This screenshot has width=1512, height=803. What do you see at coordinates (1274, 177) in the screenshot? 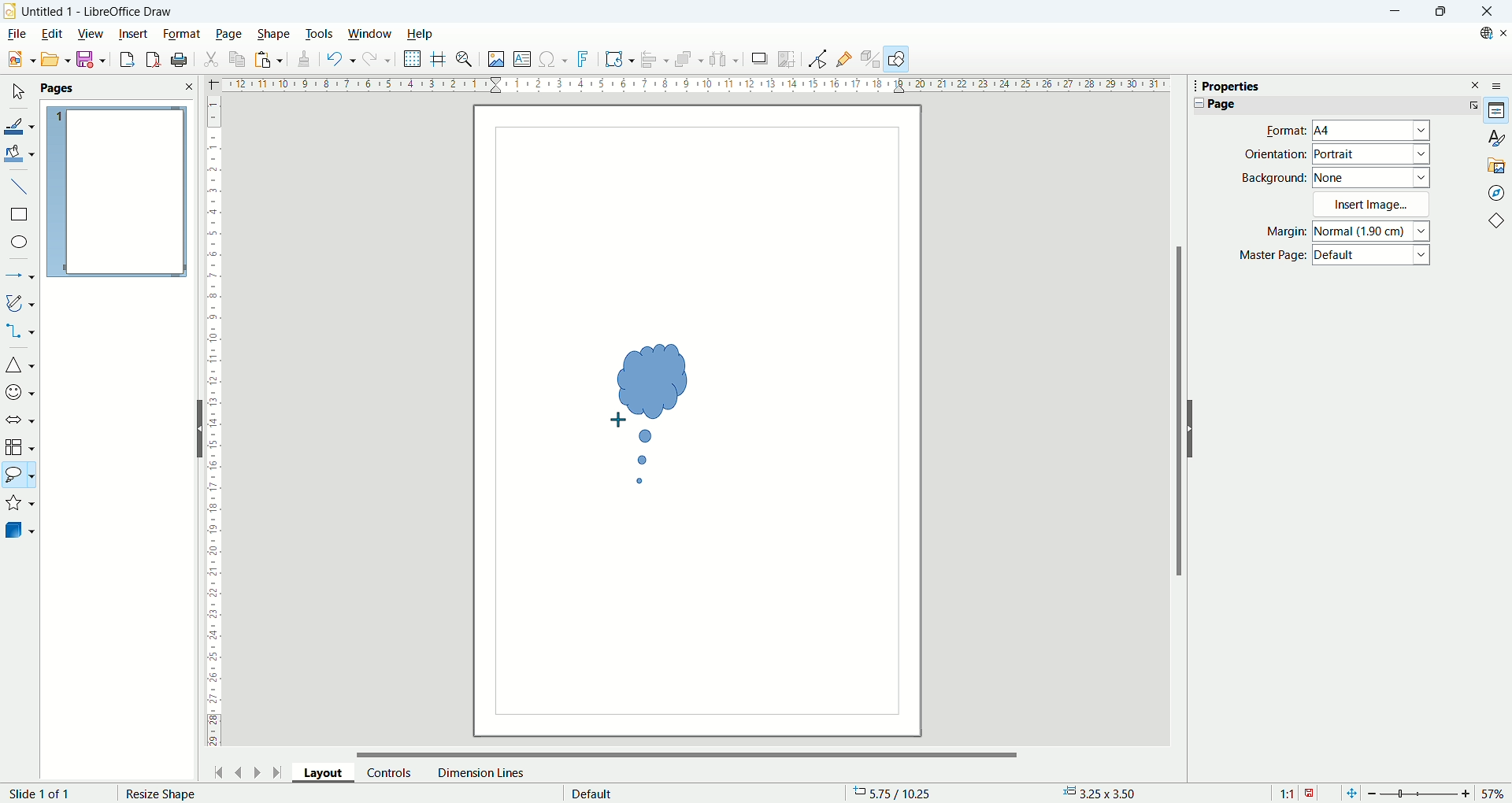
I see `Background` at bounding box center [1274, 177].